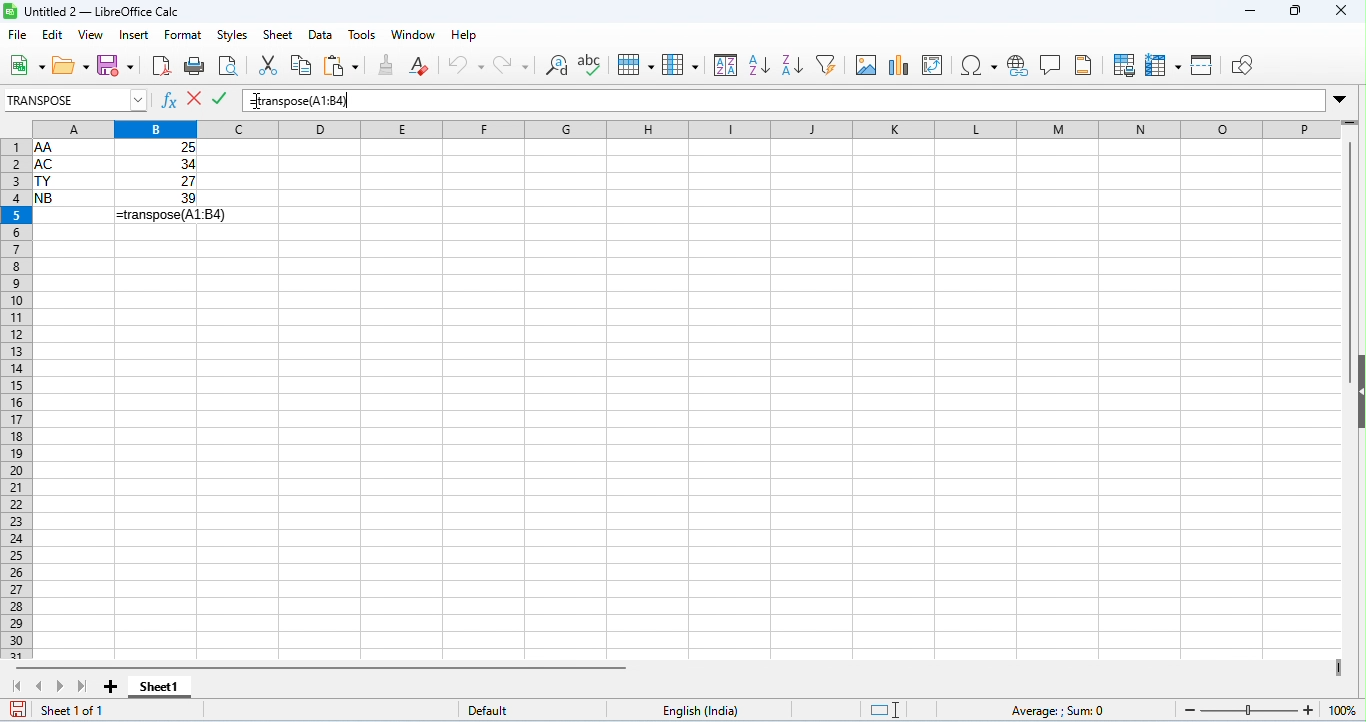 The image size is (1366, 722). I want to click on insert, so click(134, 35).